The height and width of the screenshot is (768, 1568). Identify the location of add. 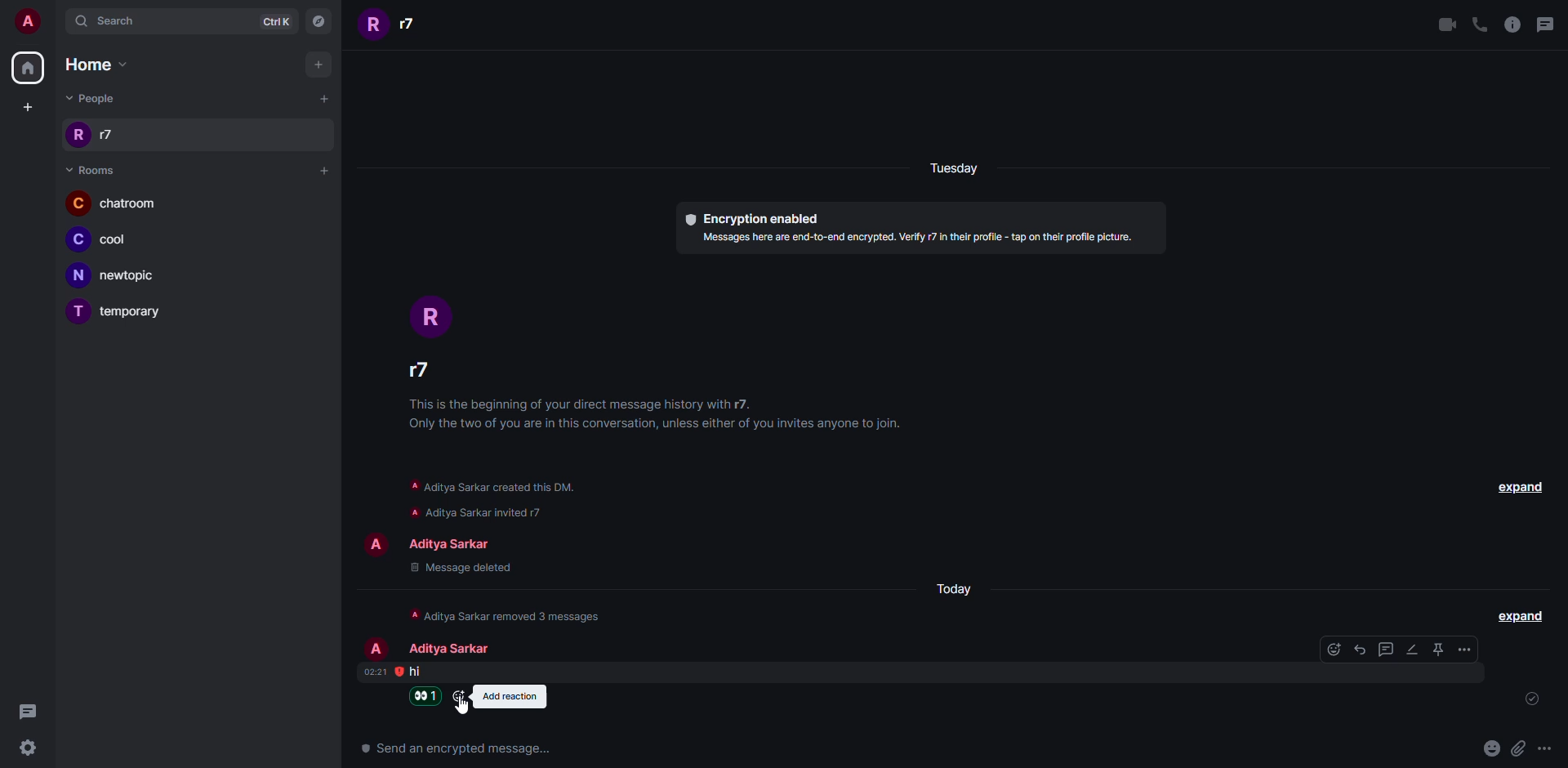
(322, 65).